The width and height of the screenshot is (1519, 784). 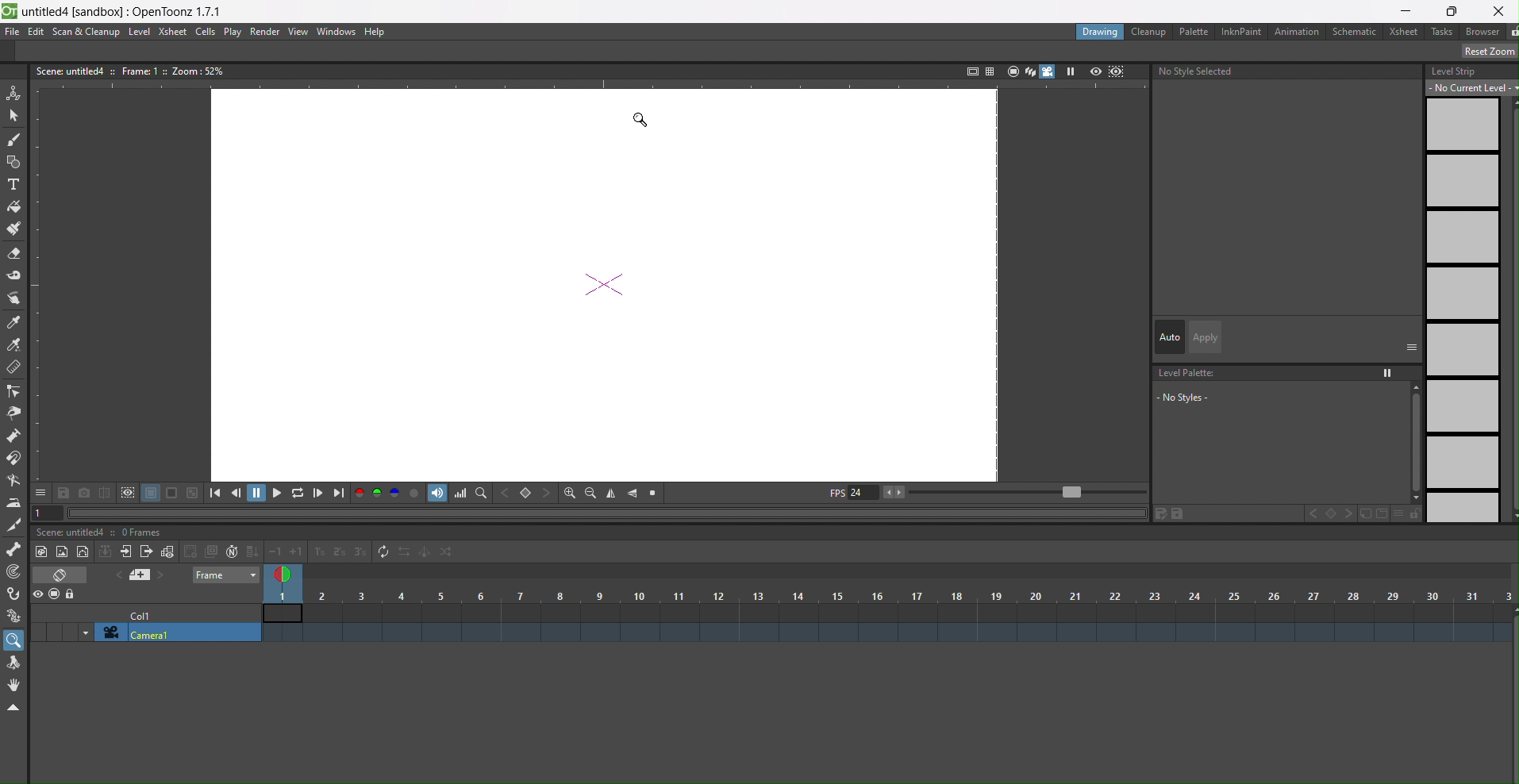 What do you see at coordinates (13, 616) in the screenshot?
I see `` at bounding box center [13, 616].